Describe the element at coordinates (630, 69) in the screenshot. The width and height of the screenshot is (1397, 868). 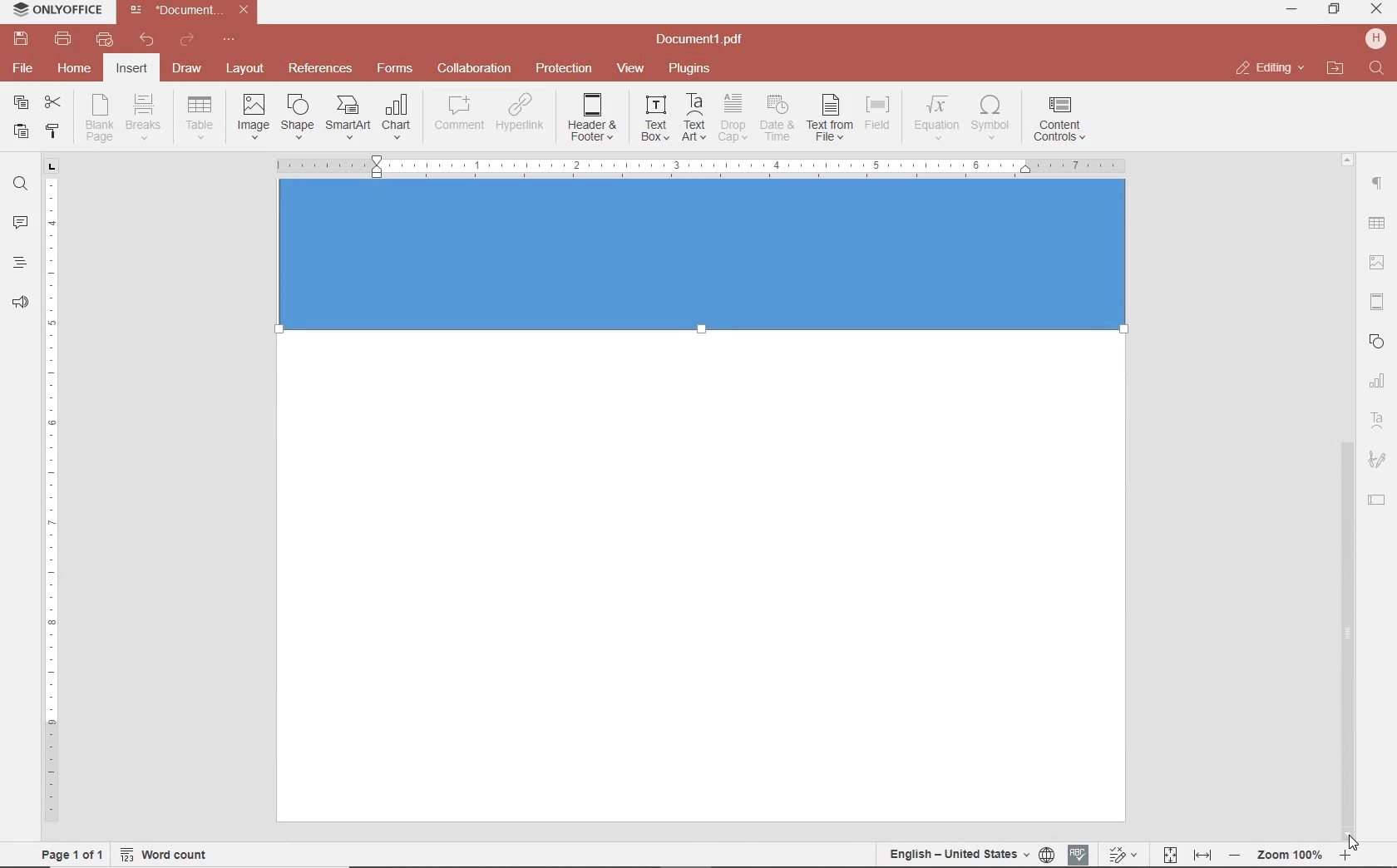
I see `view` at that location.